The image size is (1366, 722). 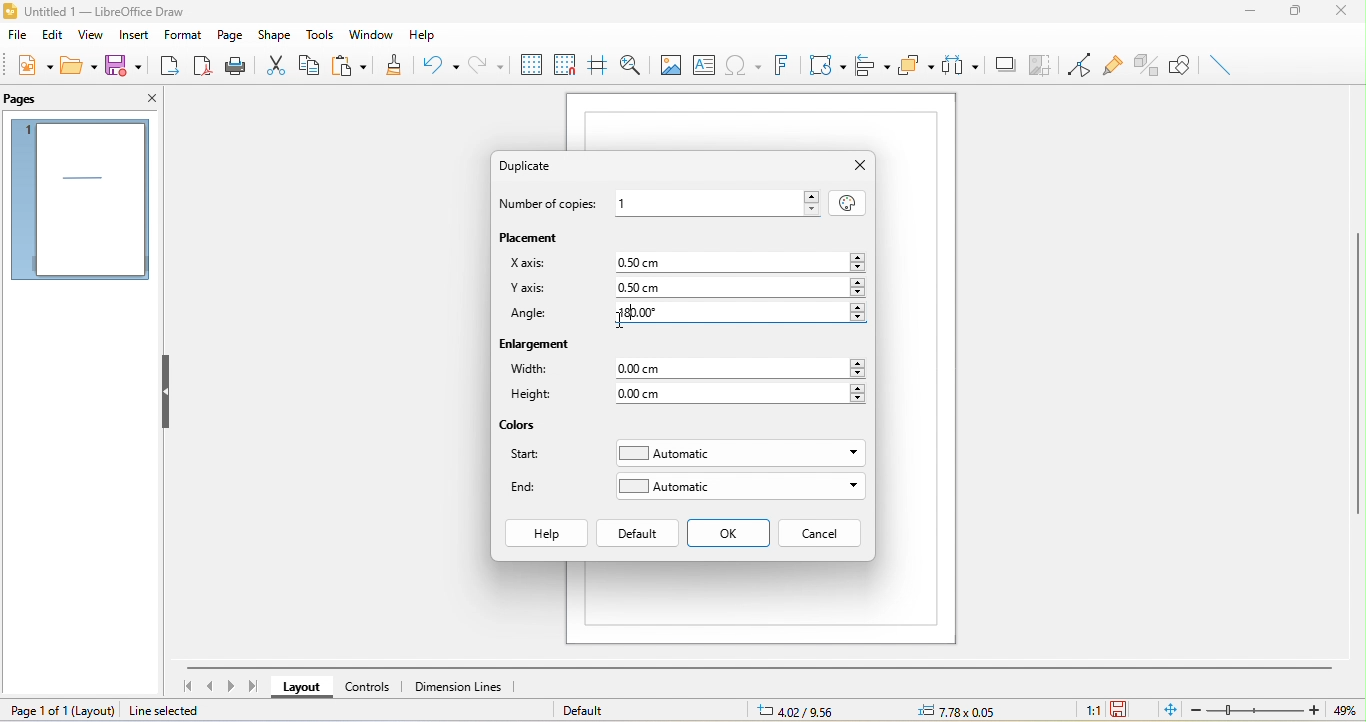 I want to click on hide, so click(x=168, y=390).